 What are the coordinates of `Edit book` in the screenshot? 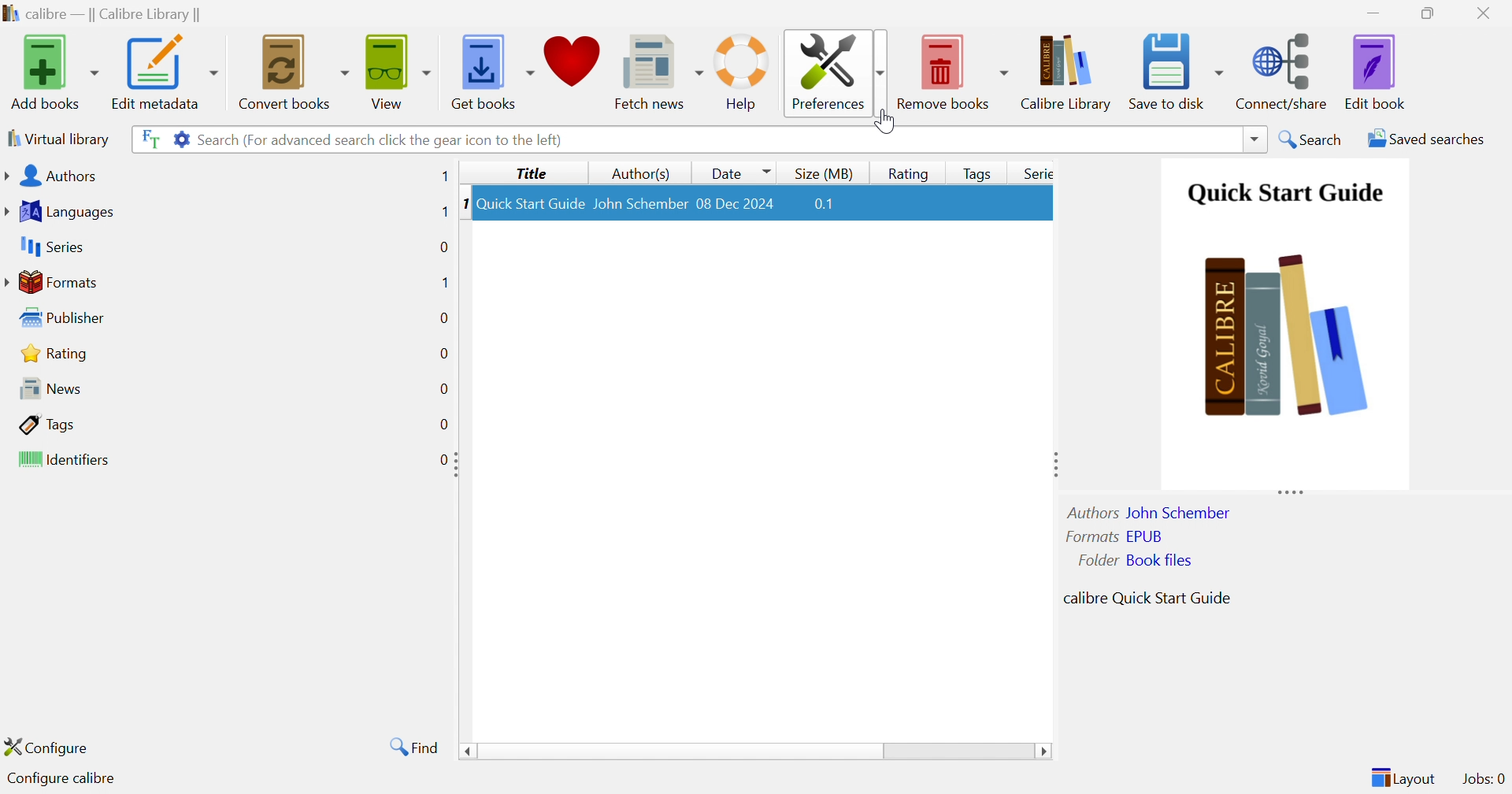 It's located at (1376, 72).